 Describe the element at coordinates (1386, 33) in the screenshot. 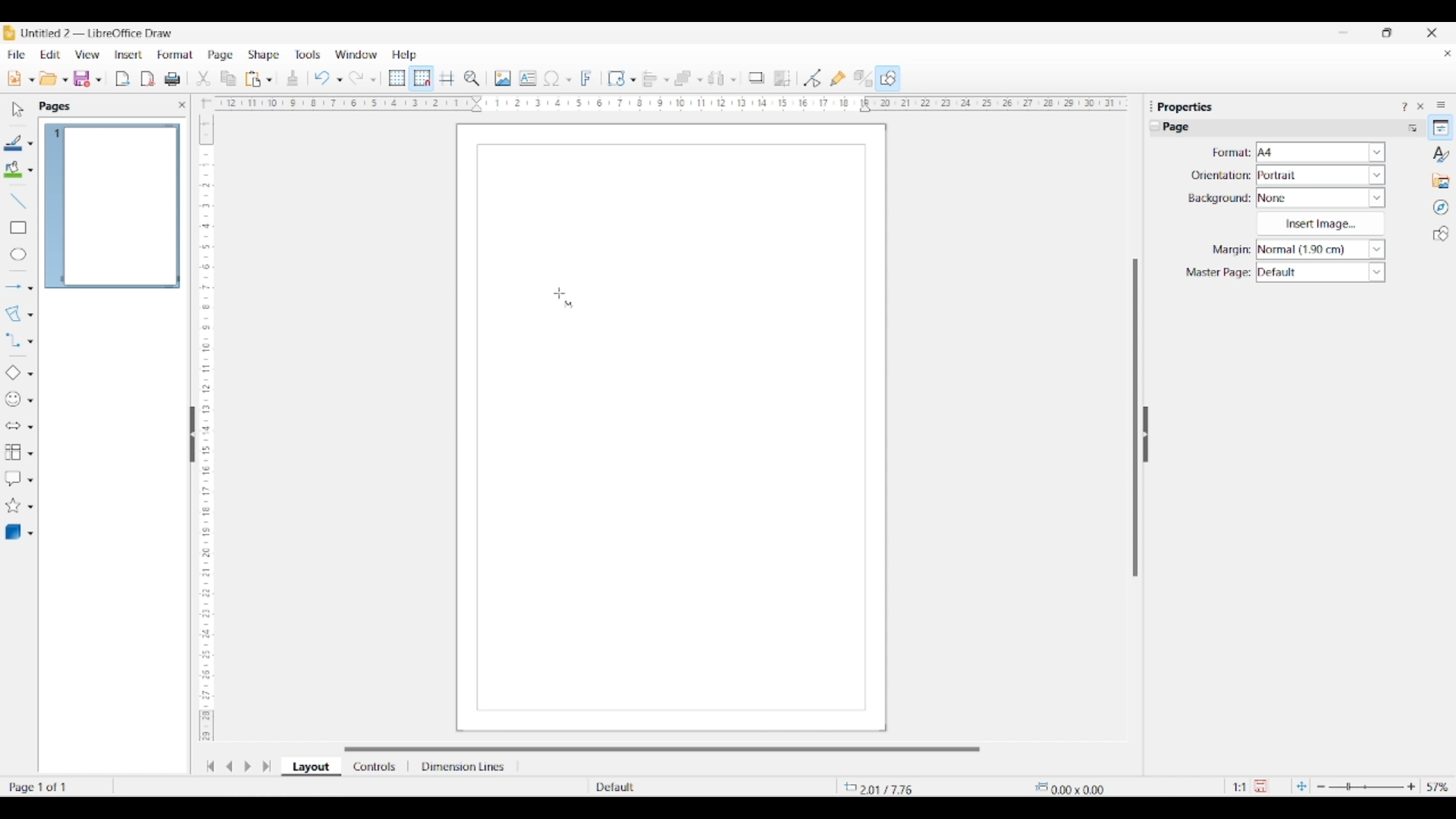

I see `Show interface in smaller tab` at that location.